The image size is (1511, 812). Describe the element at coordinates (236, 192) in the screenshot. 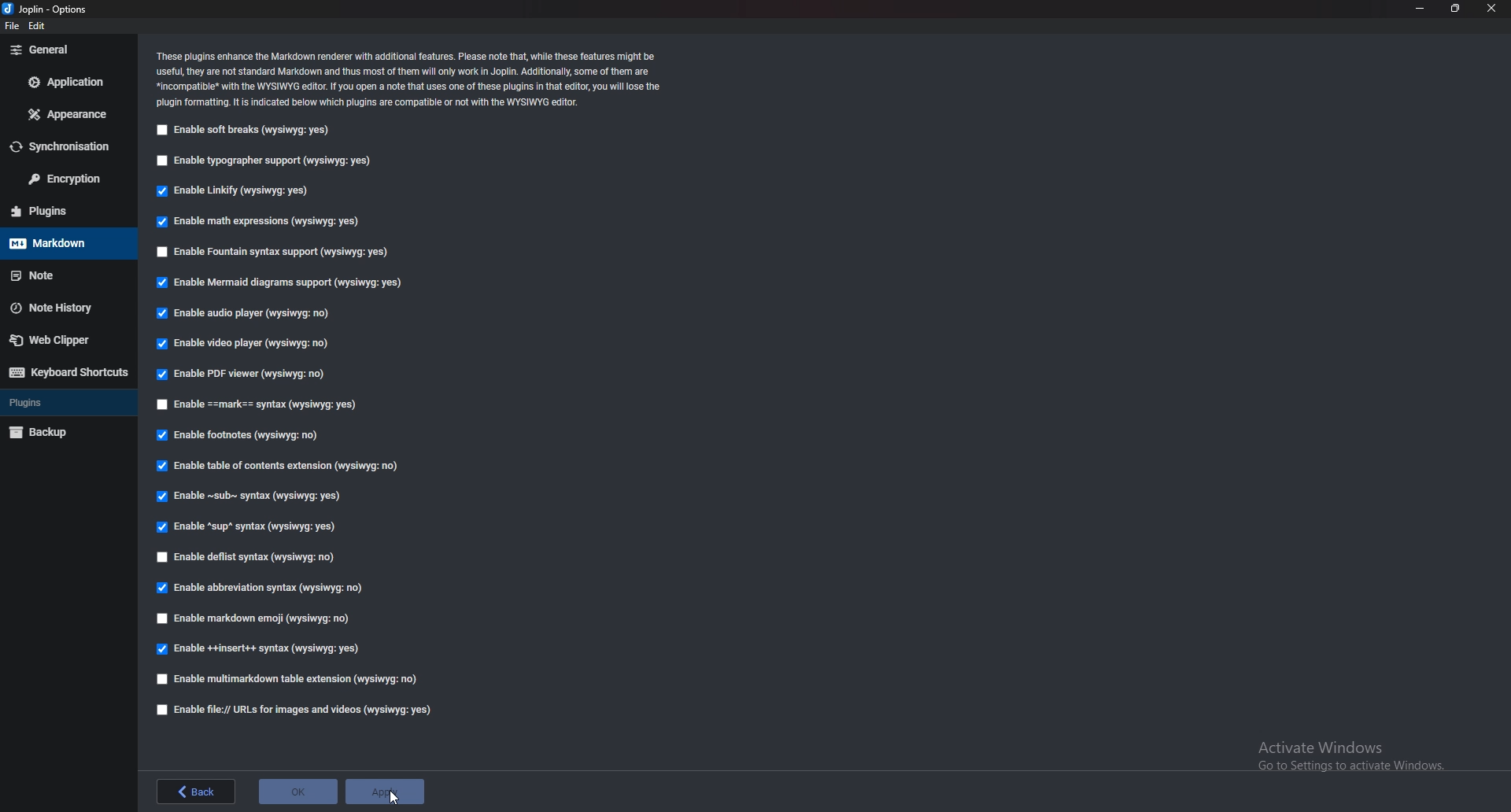

I see `Enable linkify` at that location.